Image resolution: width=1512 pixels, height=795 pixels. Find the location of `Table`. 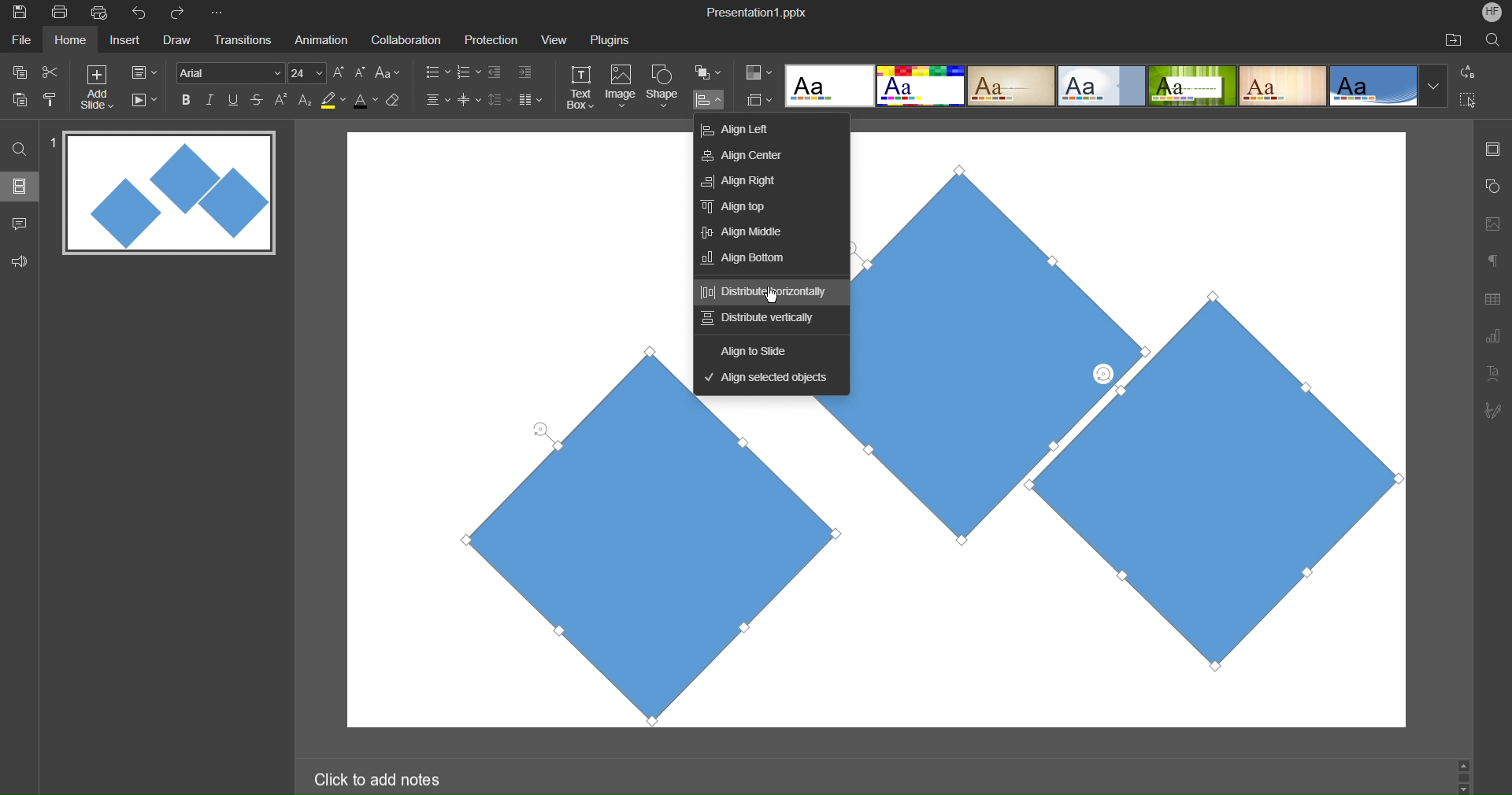

Table is located at coordinates (1493, 298).